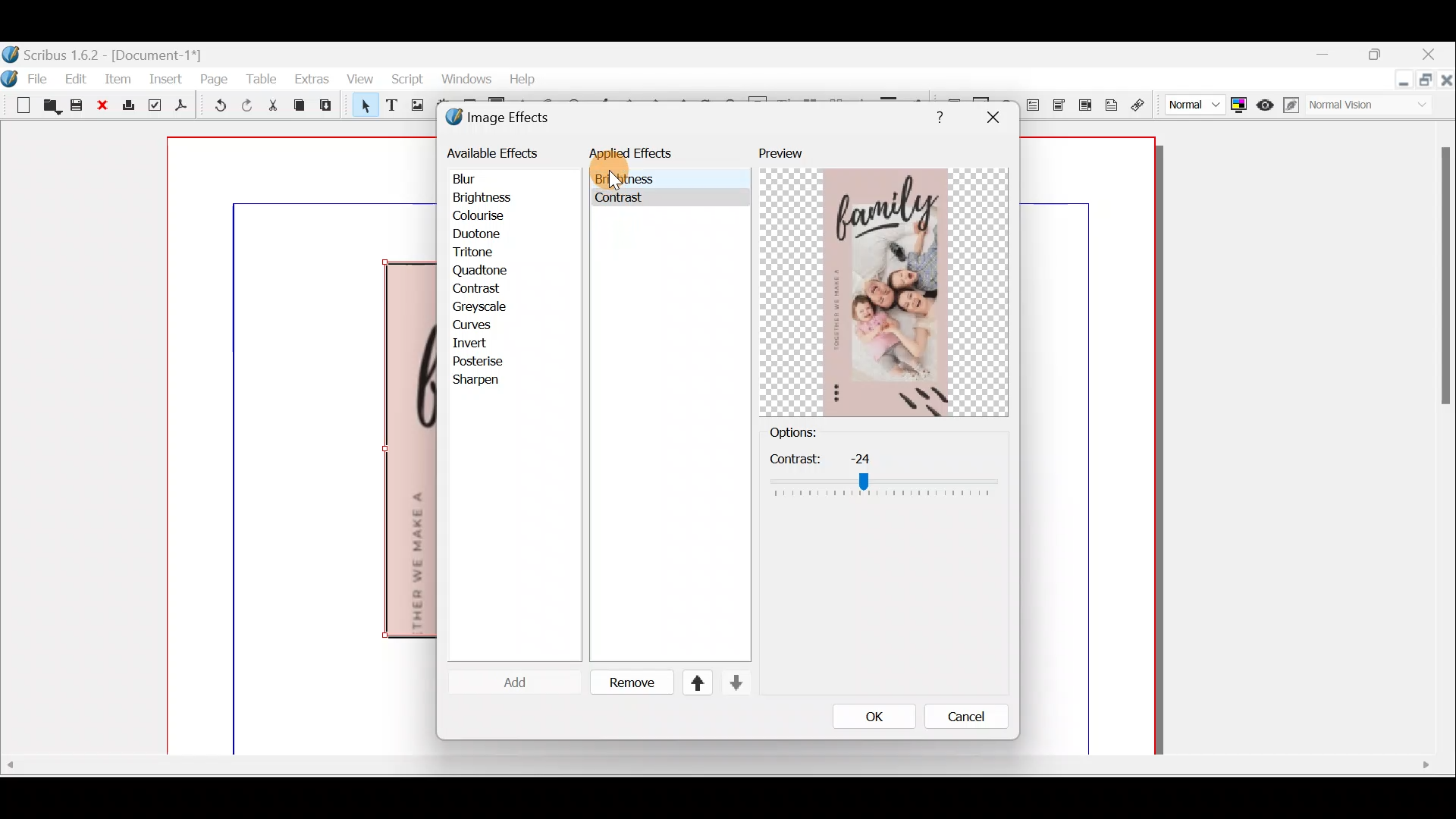 The width and height of the screenshot is (1456, 819). Describe the element at coordinates (622, 201) in the screenshot. I see `` at that location.